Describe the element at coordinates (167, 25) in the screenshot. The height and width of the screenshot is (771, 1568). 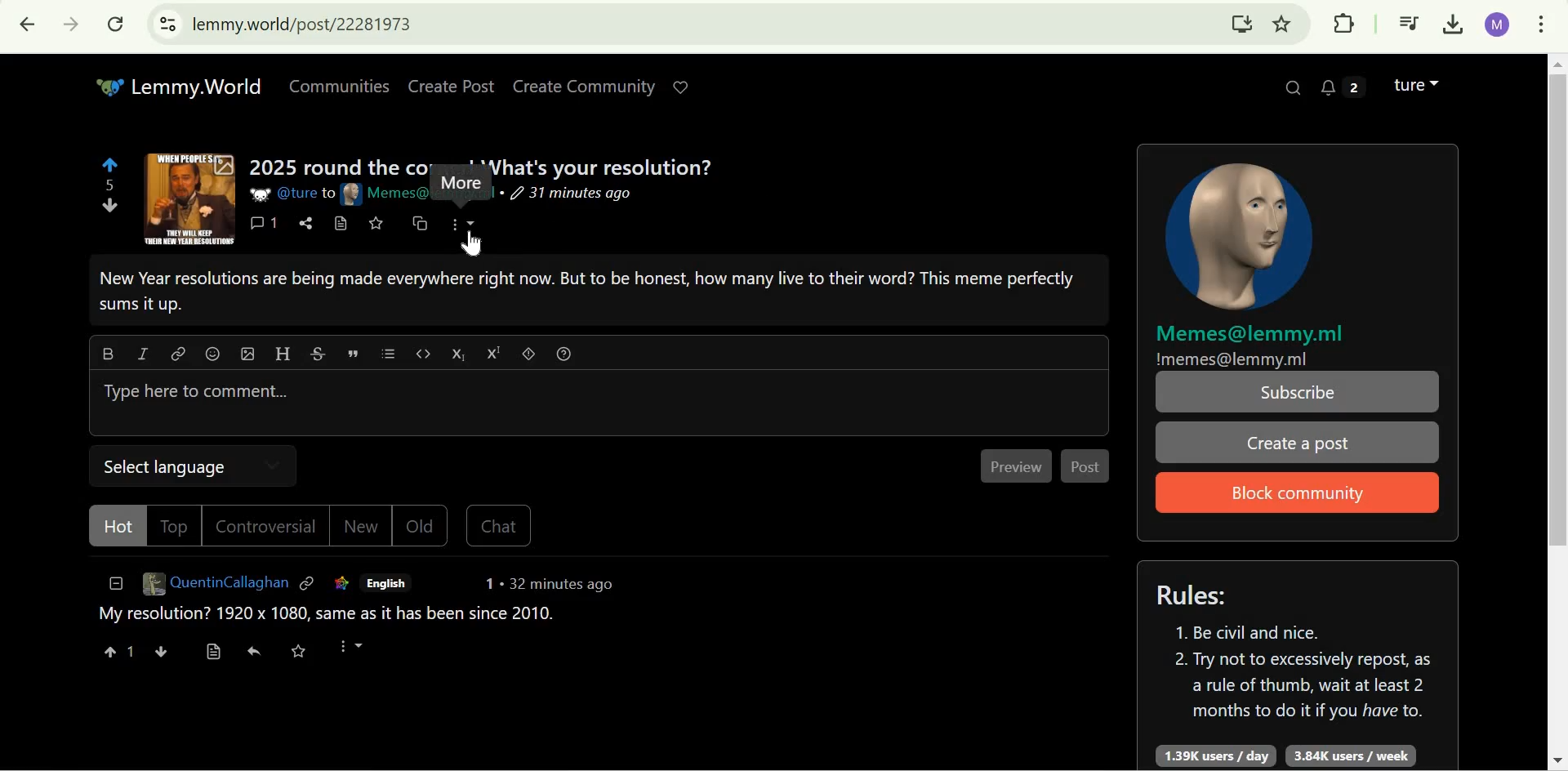
I see `View site information` at that location.